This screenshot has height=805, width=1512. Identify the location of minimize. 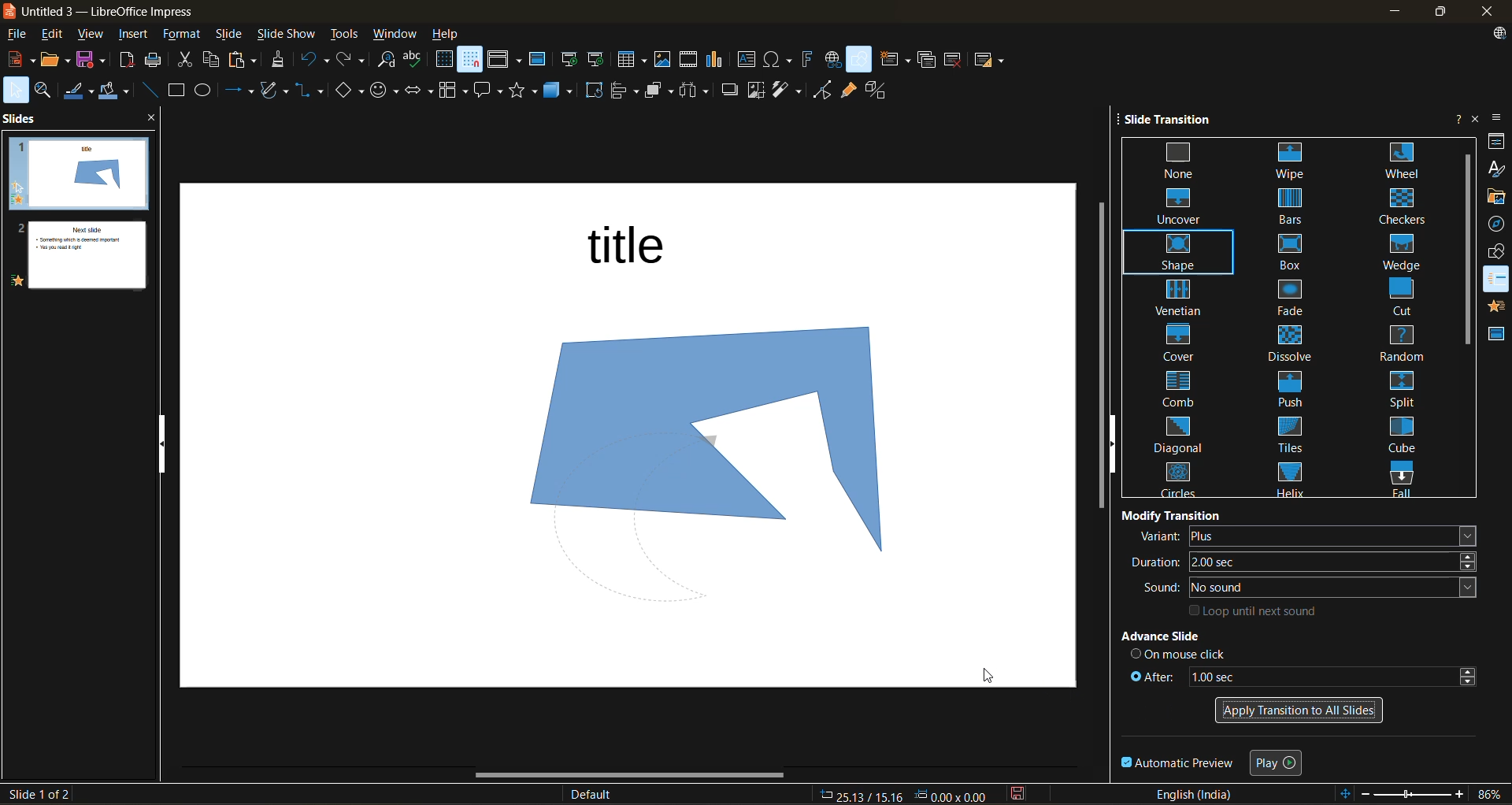
(1399, 9).